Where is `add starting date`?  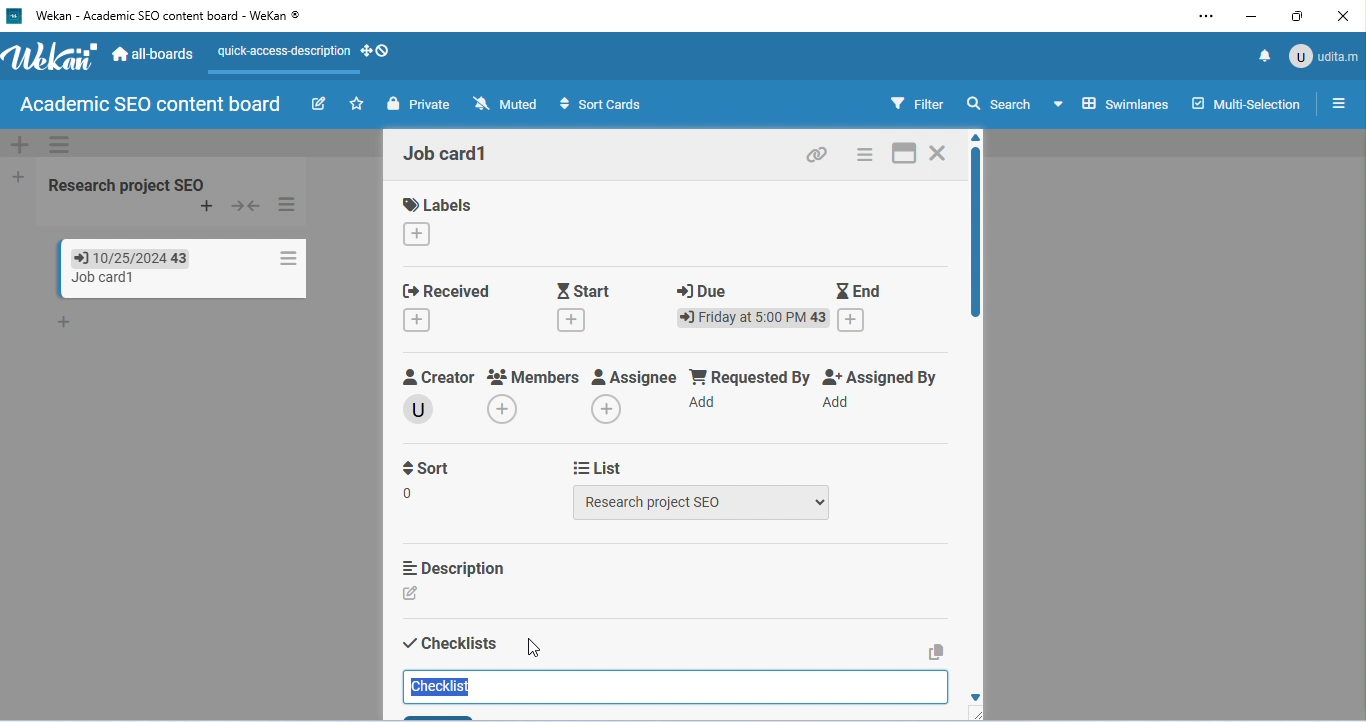 add starting date is located at coordinates (573, 322).